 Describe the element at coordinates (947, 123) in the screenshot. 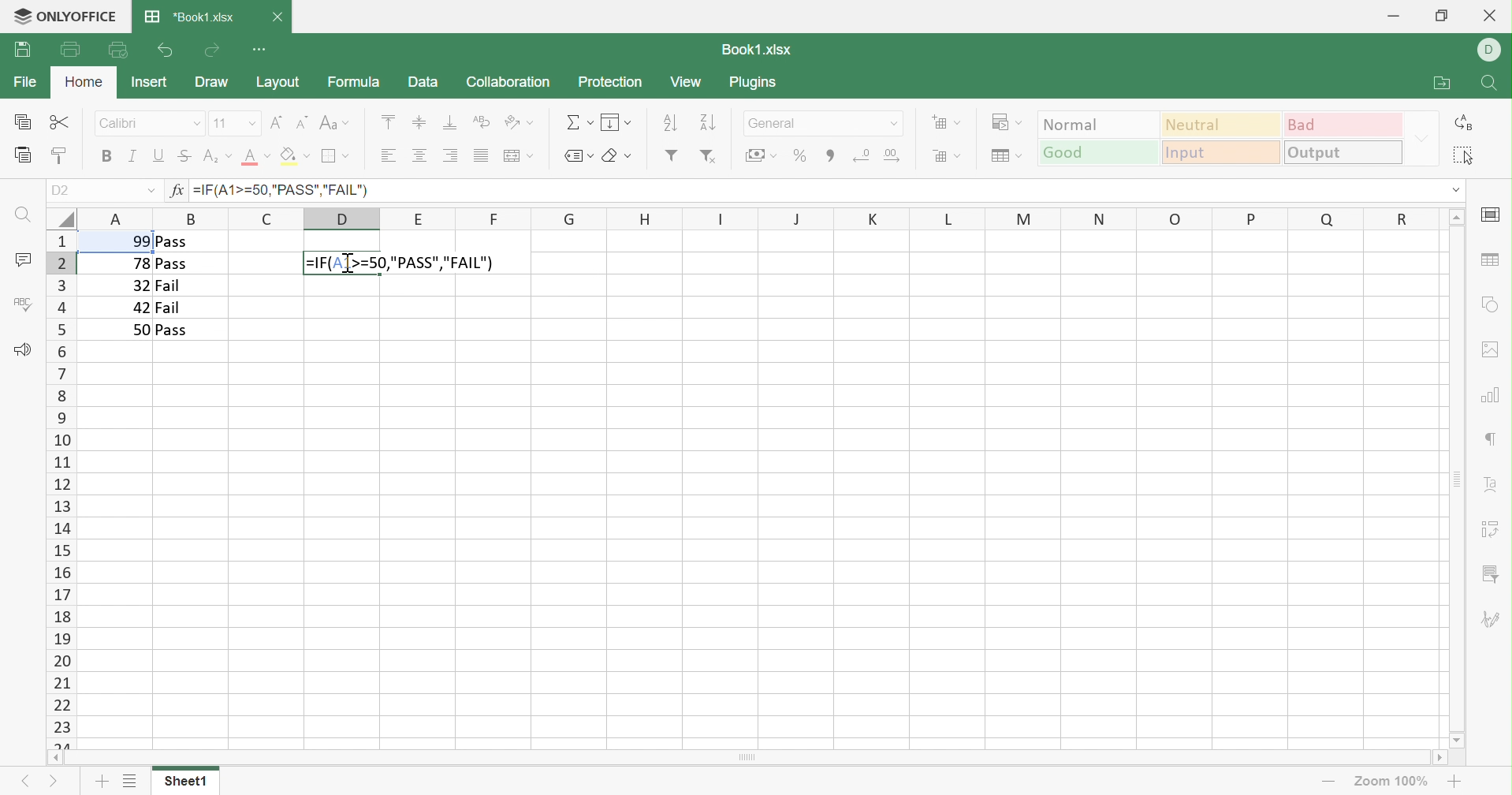

I see `Add cells` at that location.